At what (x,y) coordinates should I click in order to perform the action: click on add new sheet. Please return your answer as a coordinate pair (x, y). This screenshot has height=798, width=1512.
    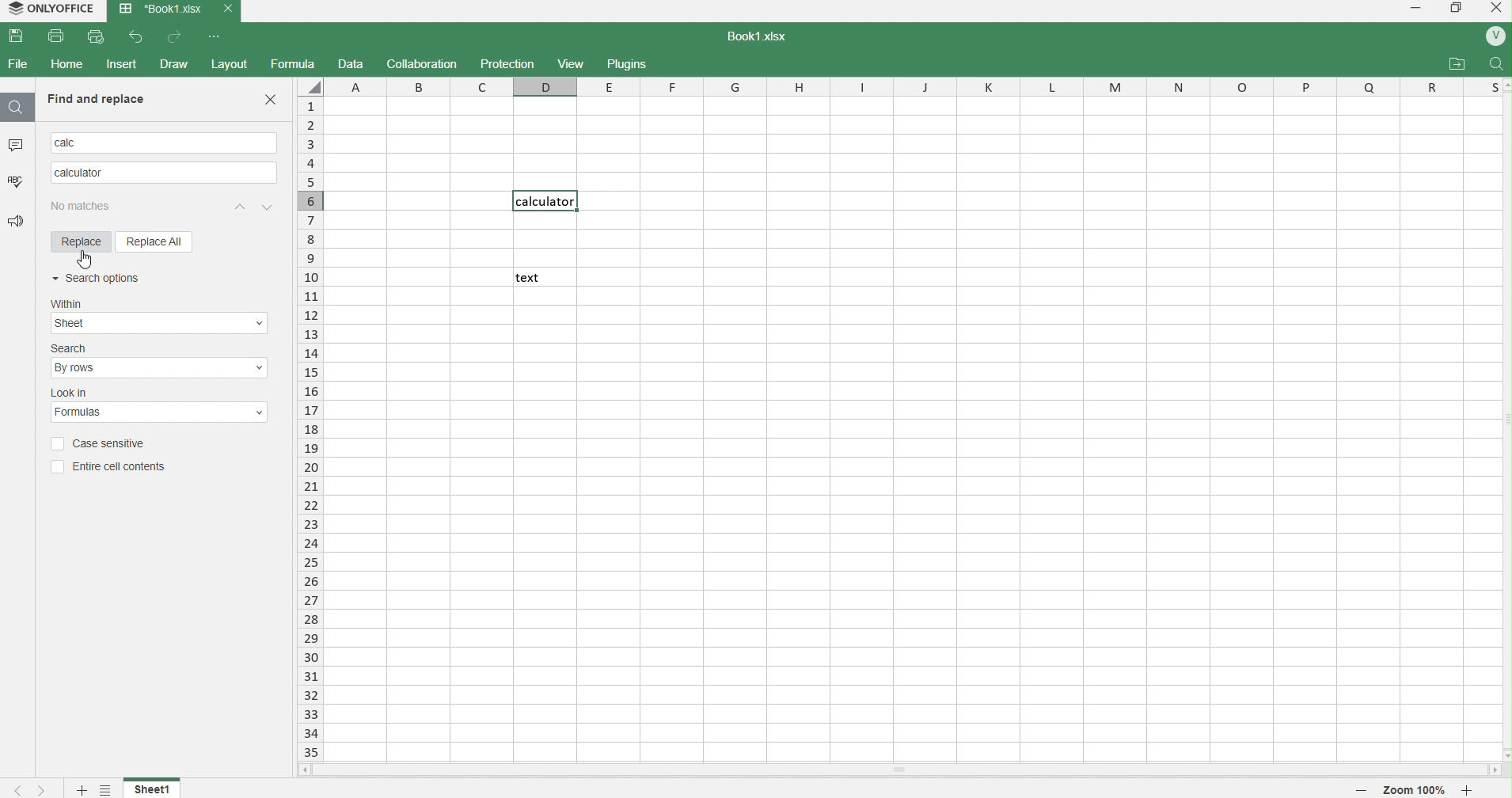
    Looking at the image, I should click on (79, 787).